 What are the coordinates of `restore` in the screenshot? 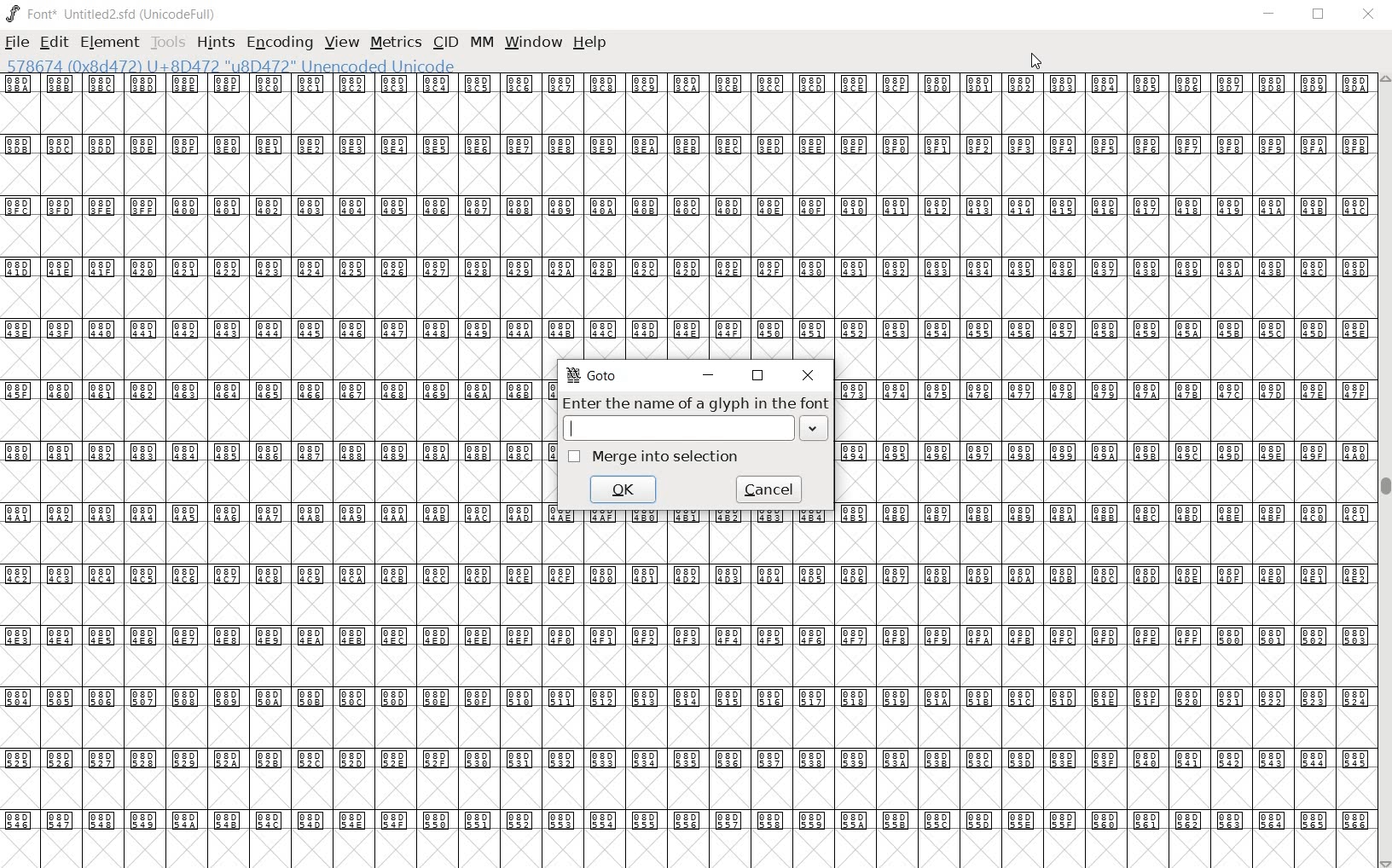 It's located at (757, 376).